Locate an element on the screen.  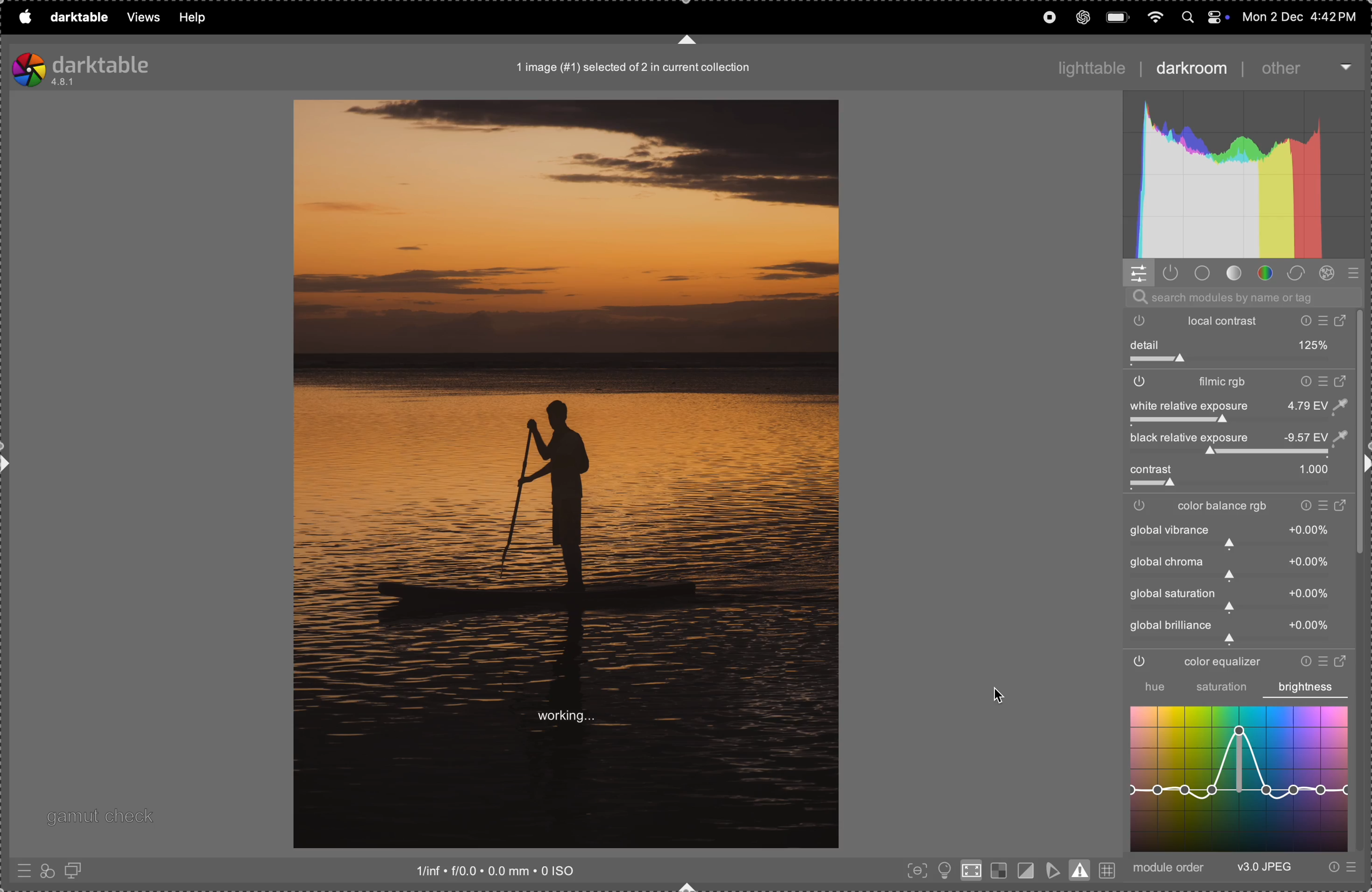
date and time is located at coordinates (1299, 16).